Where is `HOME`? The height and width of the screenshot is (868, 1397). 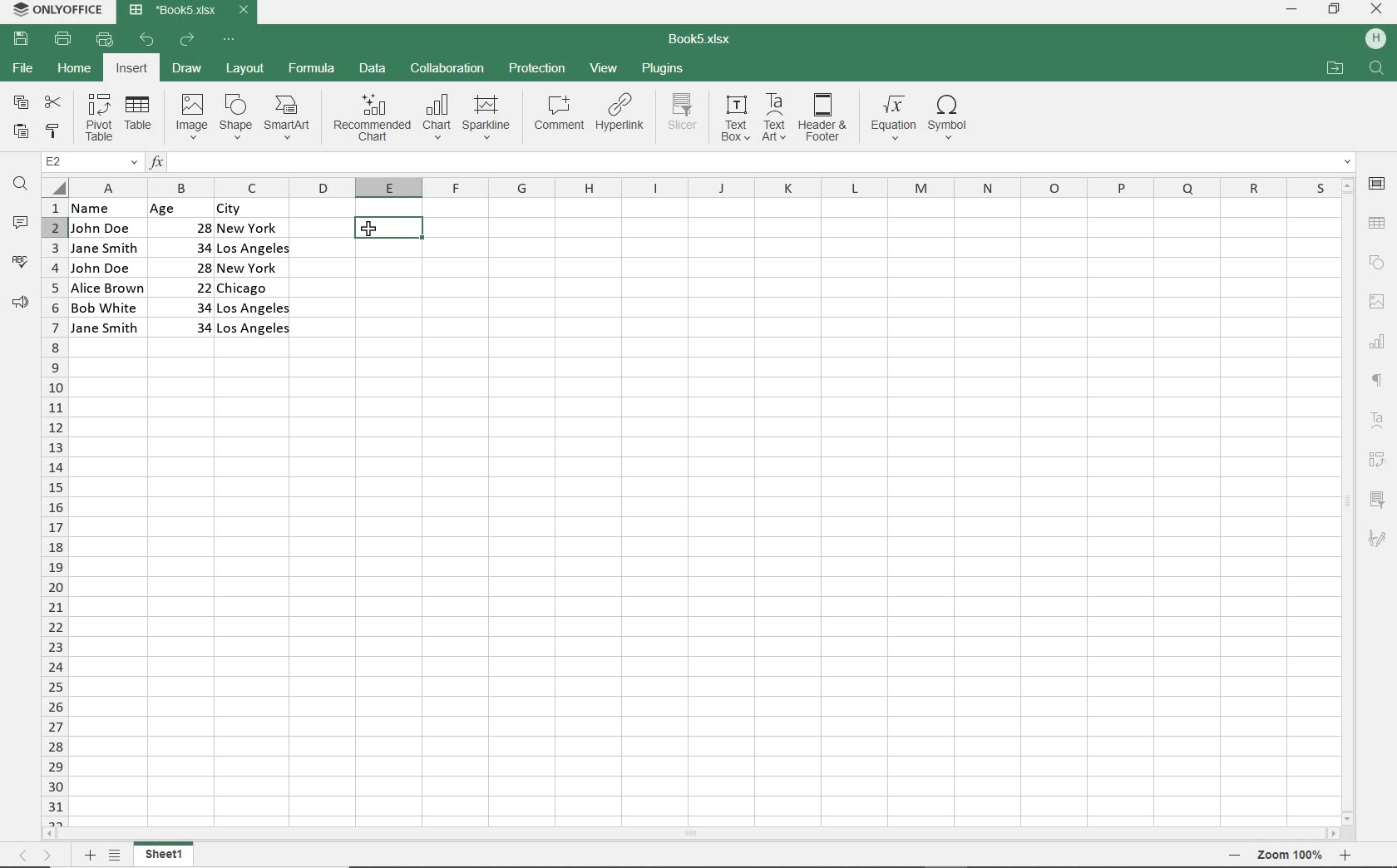 HOME is located at coordinates (73, 67).